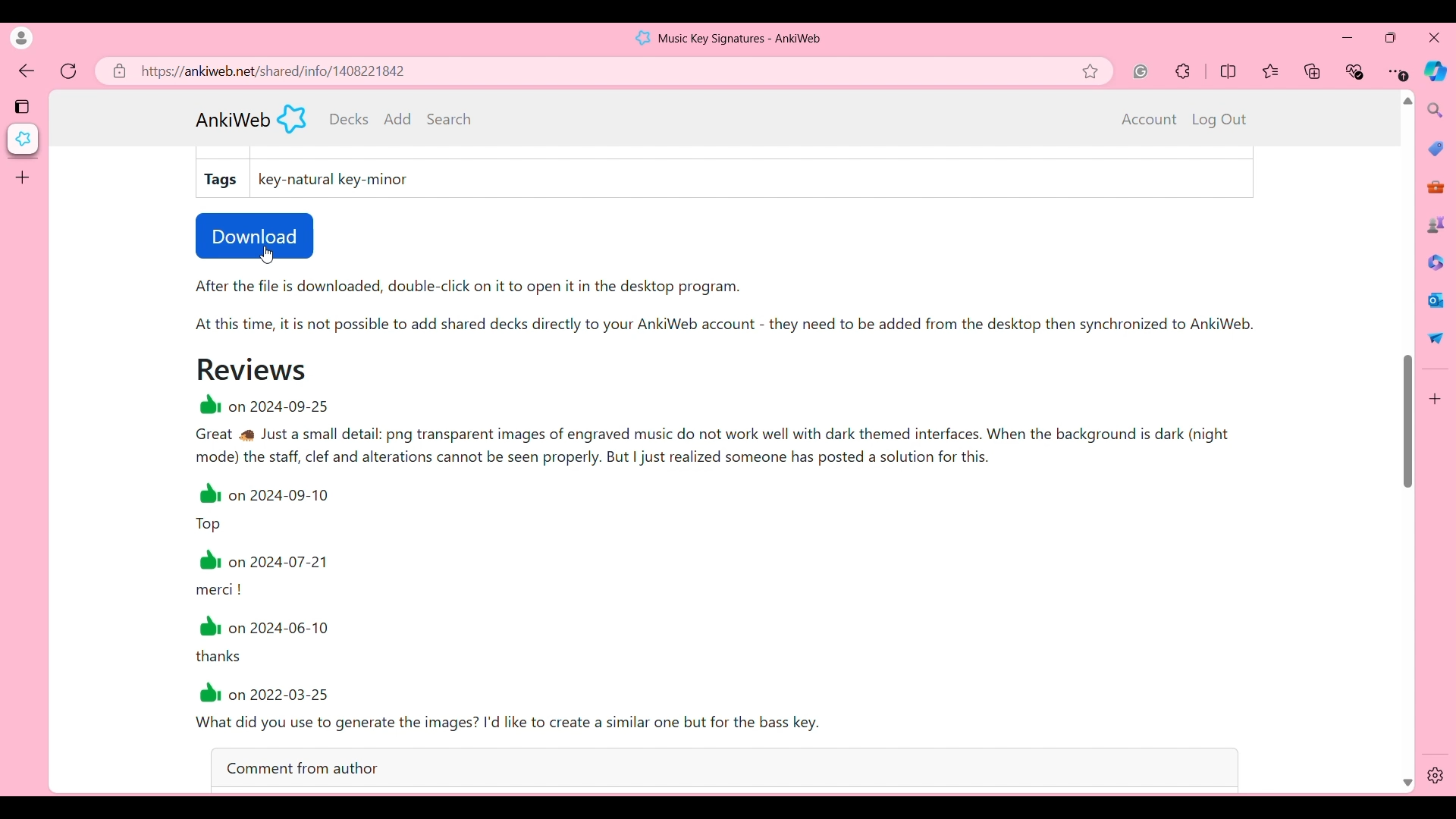 The height and width of the screenshot is (819, 1456). What do you see at coordinates (24, 139) in the screenshot?
I see `Current tab` at bounding box center [24, 139].